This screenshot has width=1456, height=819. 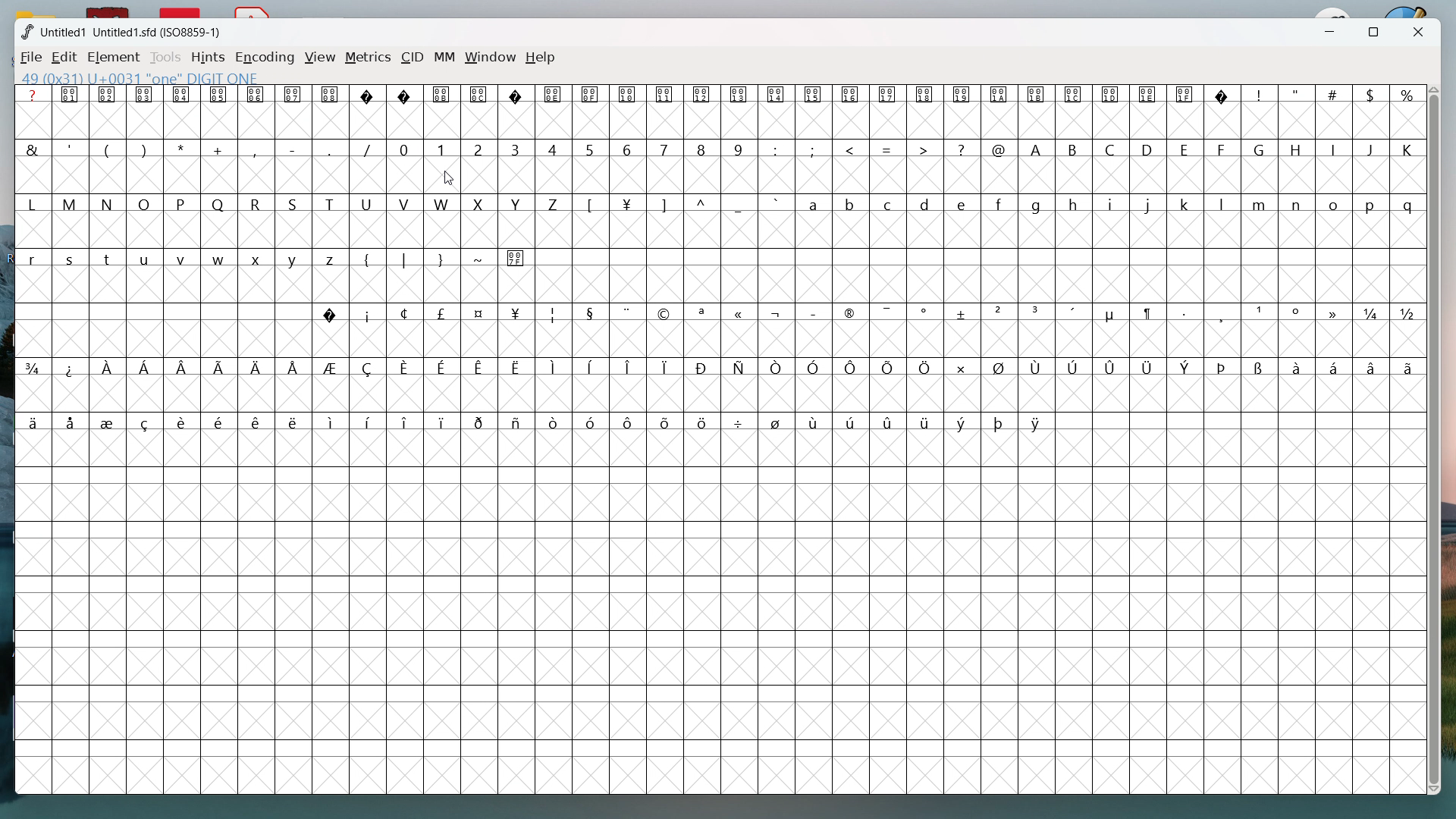 What do you see at coordinates (1409, 367) in the screenshot?
I see `symbol` at bounding box center [1409, 367].